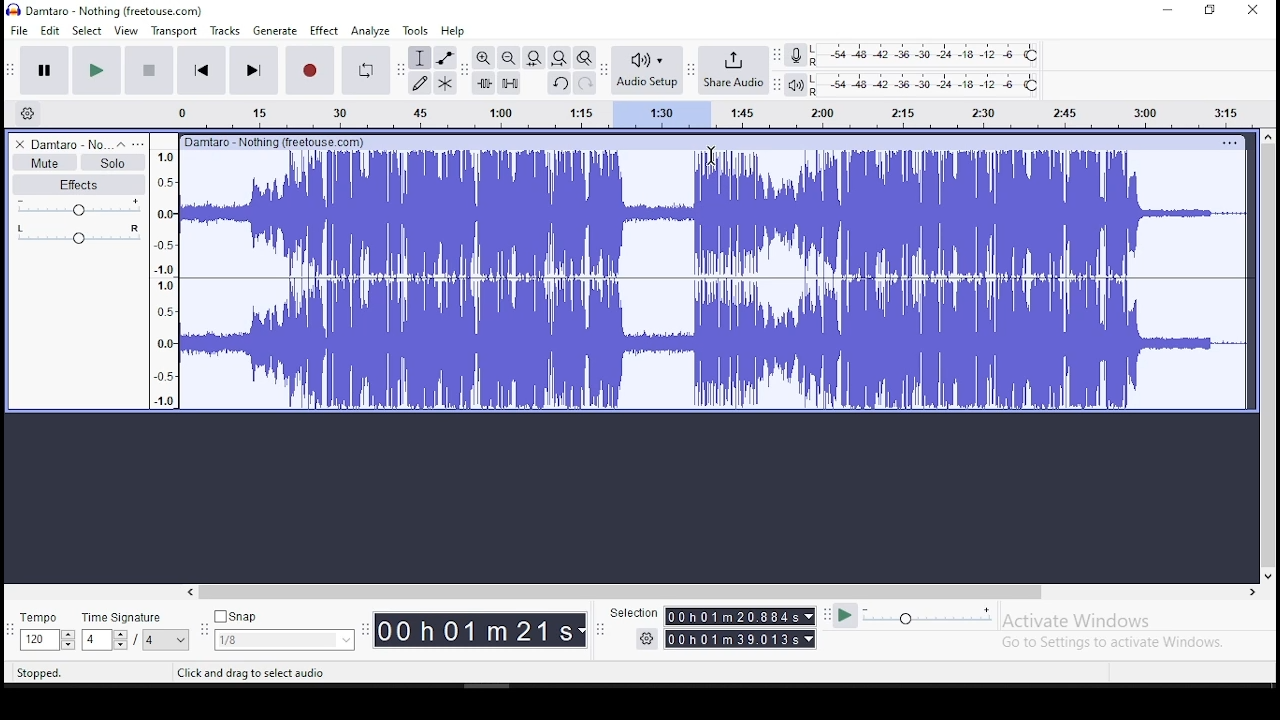 This screenshot has height=720, width=1280. Describe the element at coordinates (273, 31) in the screenshot. I see `generate` at that location.